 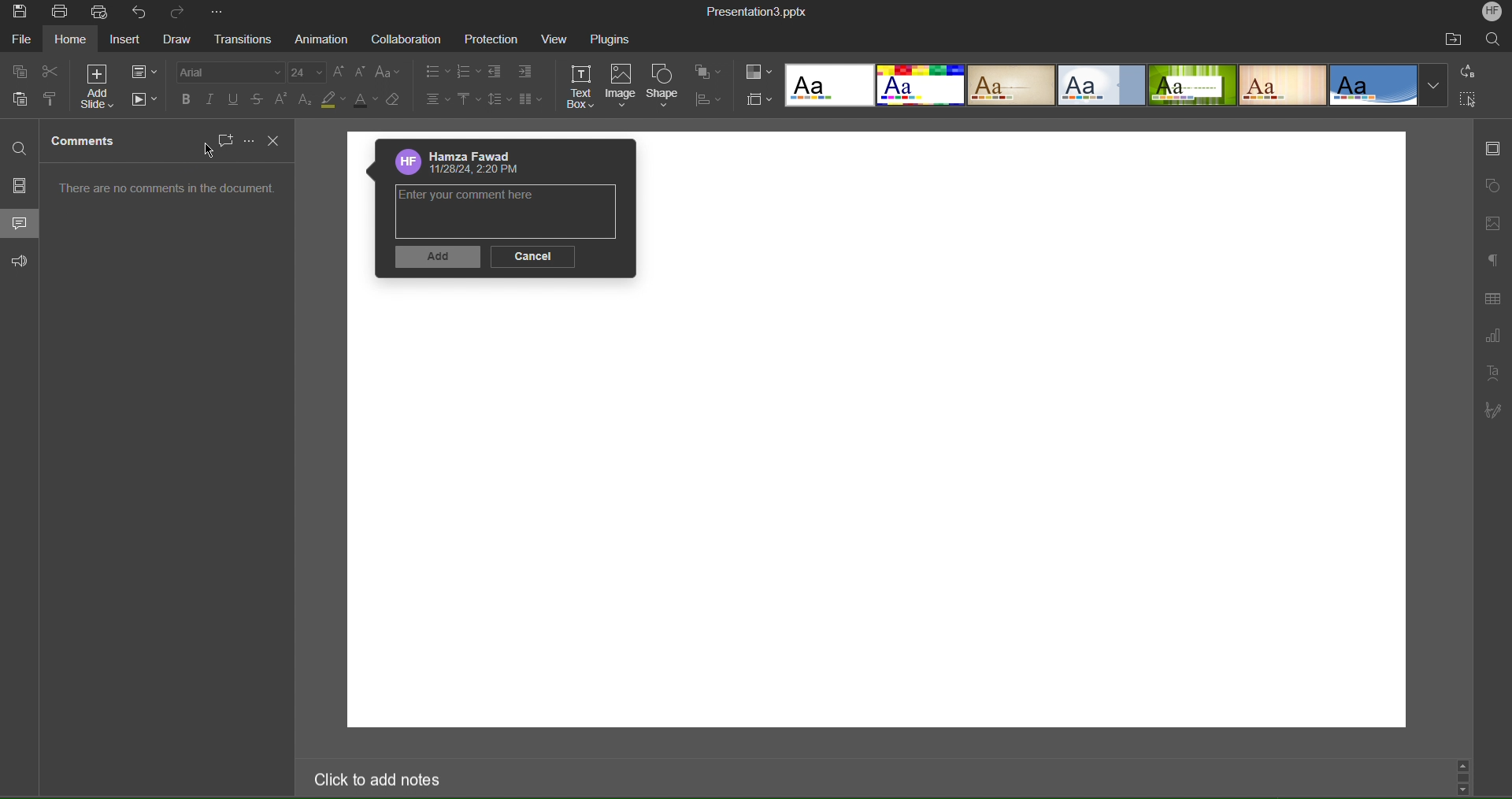 What do you see at coordinates (51, 72) in the screenshot?
I see `cut` at bounding box center [51, 72].